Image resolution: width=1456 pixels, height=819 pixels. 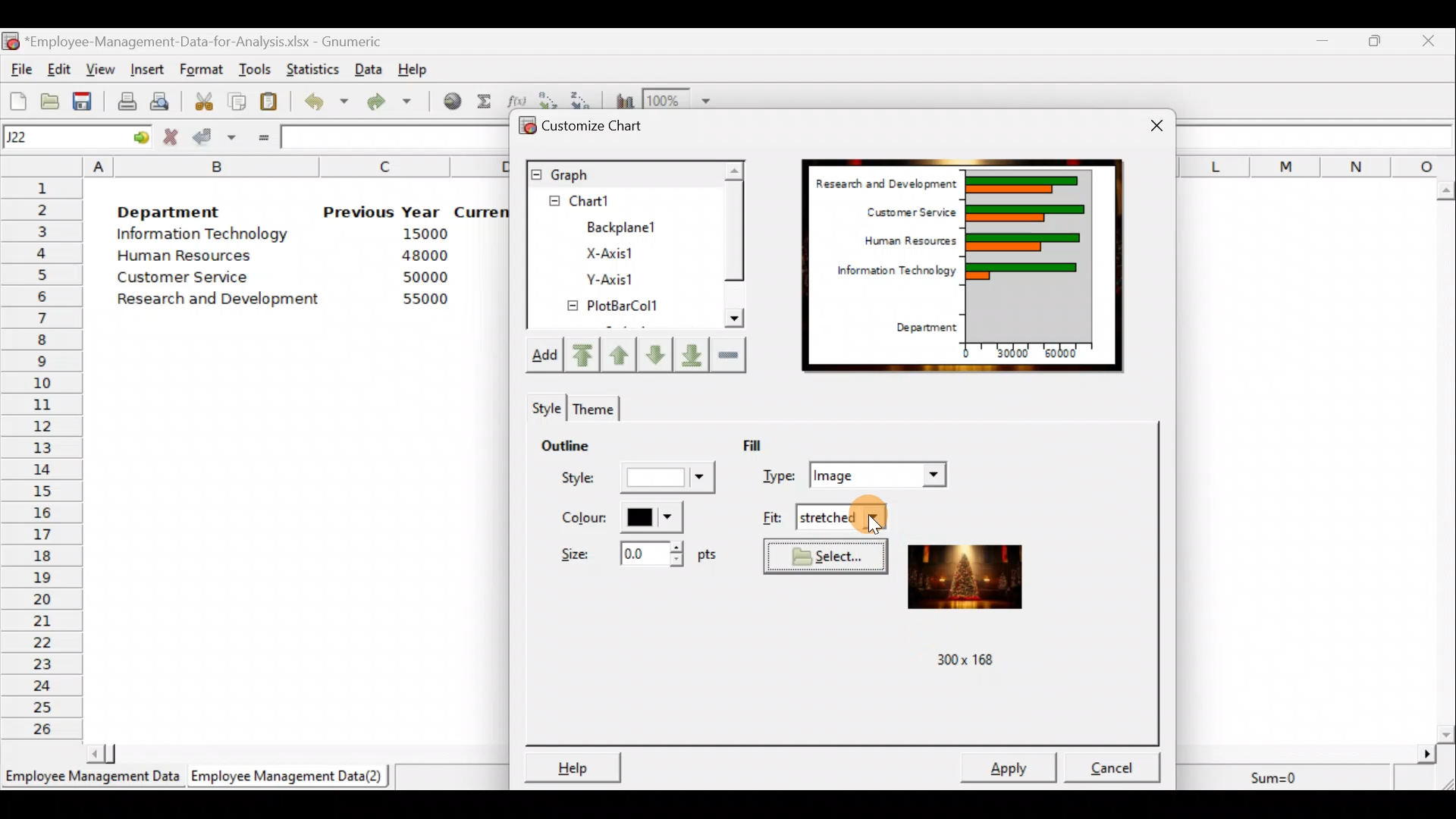 I want to click on 15000, so click(x=420, y=237).